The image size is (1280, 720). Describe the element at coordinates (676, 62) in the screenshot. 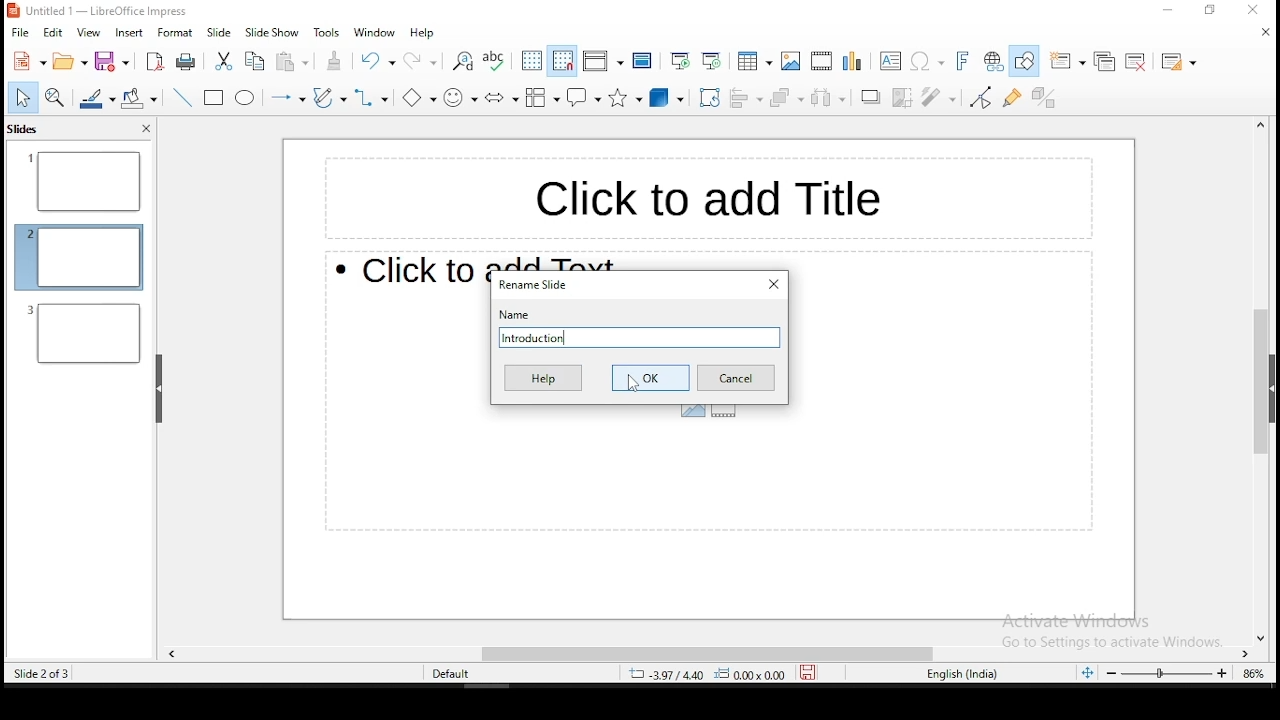

I see `start from first slide` at that location.